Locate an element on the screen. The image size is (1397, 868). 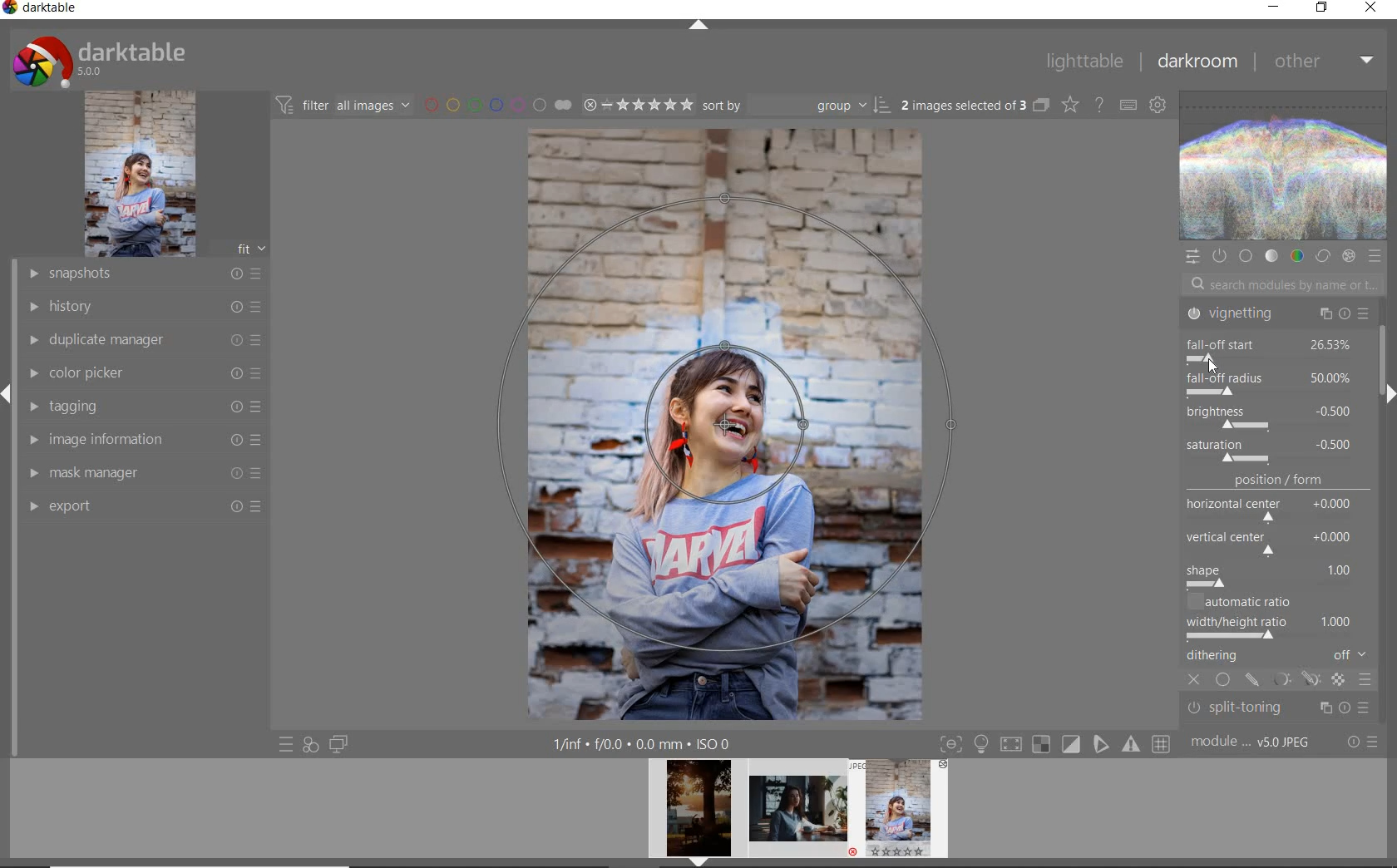
toggle modes is located at coordinates (1055, 742).